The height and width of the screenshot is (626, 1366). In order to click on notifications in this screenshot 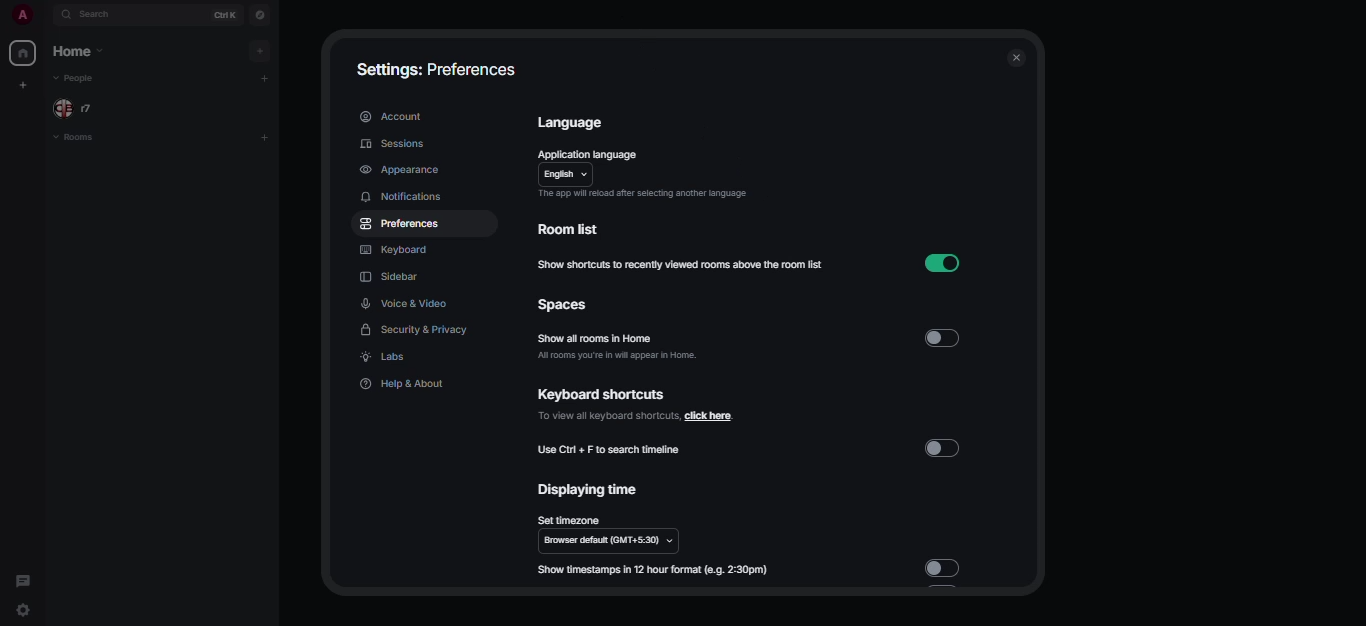, I will do `click(402, 196)`.